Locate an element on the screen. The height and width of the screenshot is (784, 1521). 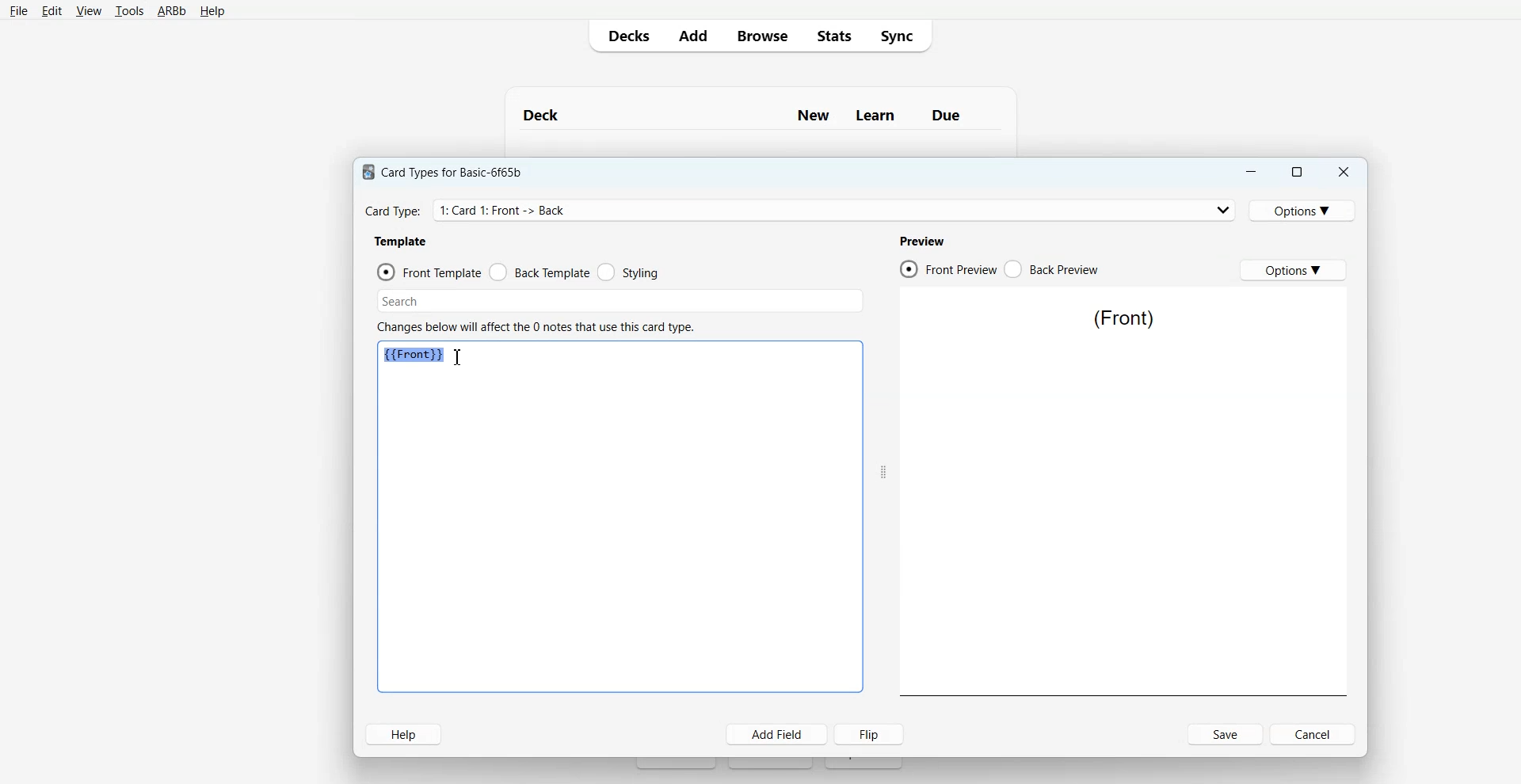
Text 3 is located at coordinates (537, 326).